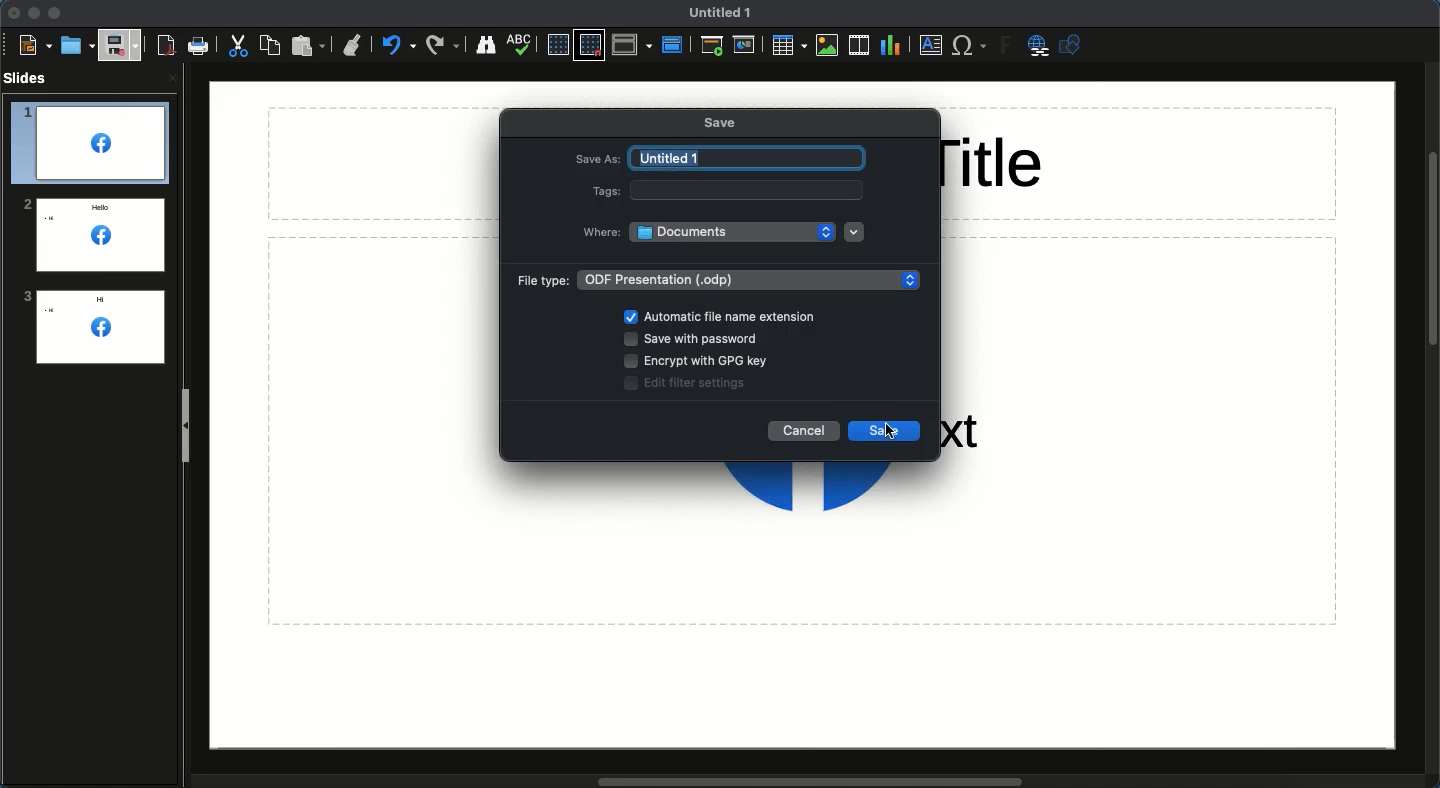  What do you see at coordinates (444, 45) in the screenshot?
I see `Redo` at bounding box center [444, 45].